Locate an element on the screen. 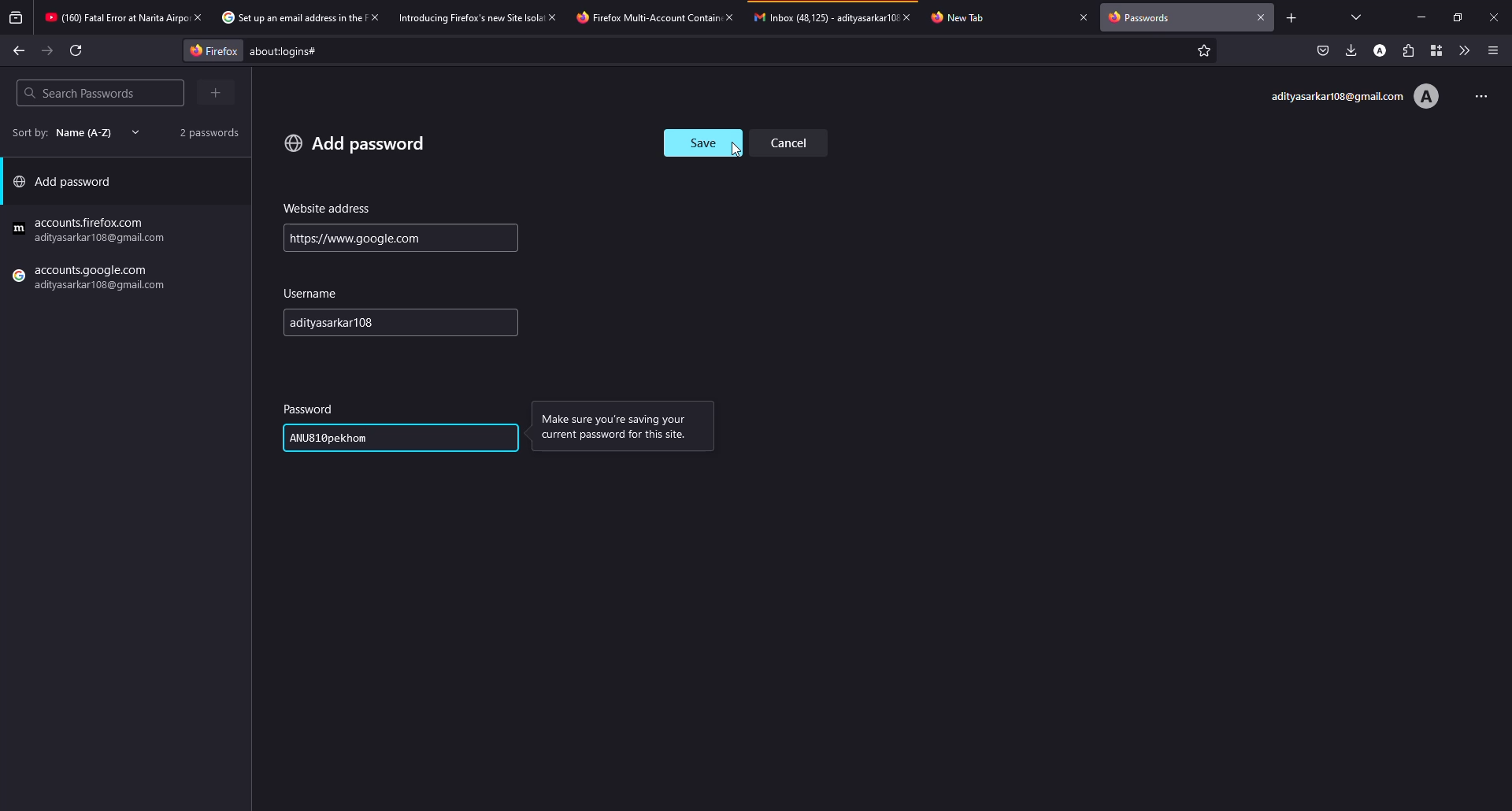 Image resolution: width=1512 pixels, height=811 pixels. tab is located at coordinates (966, 17).